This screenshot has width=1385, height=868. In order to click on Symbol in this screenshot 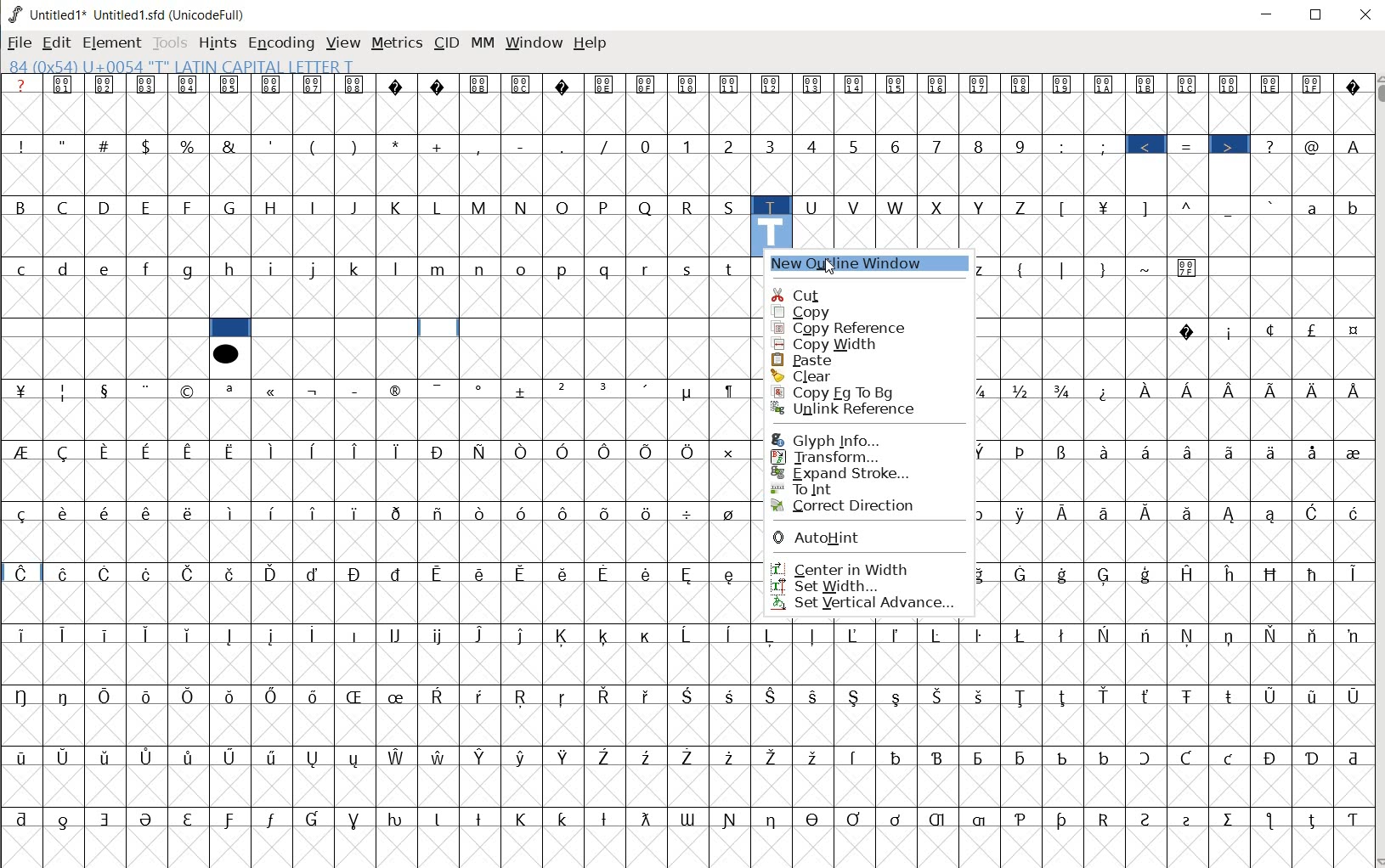, I will do `click(1063, 757)`.